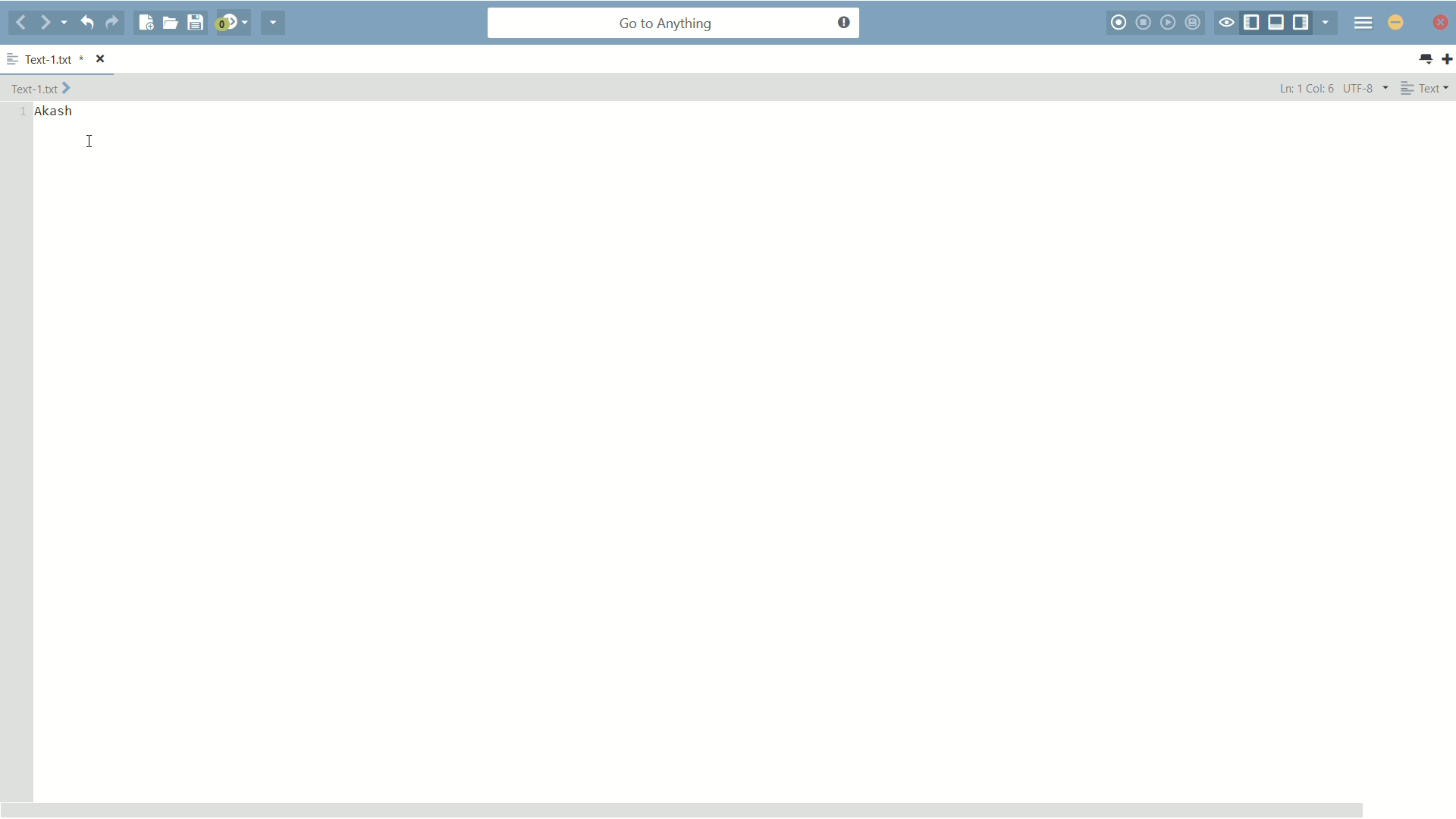  I want to click on save macro to toolbox, so click(1194, 23).